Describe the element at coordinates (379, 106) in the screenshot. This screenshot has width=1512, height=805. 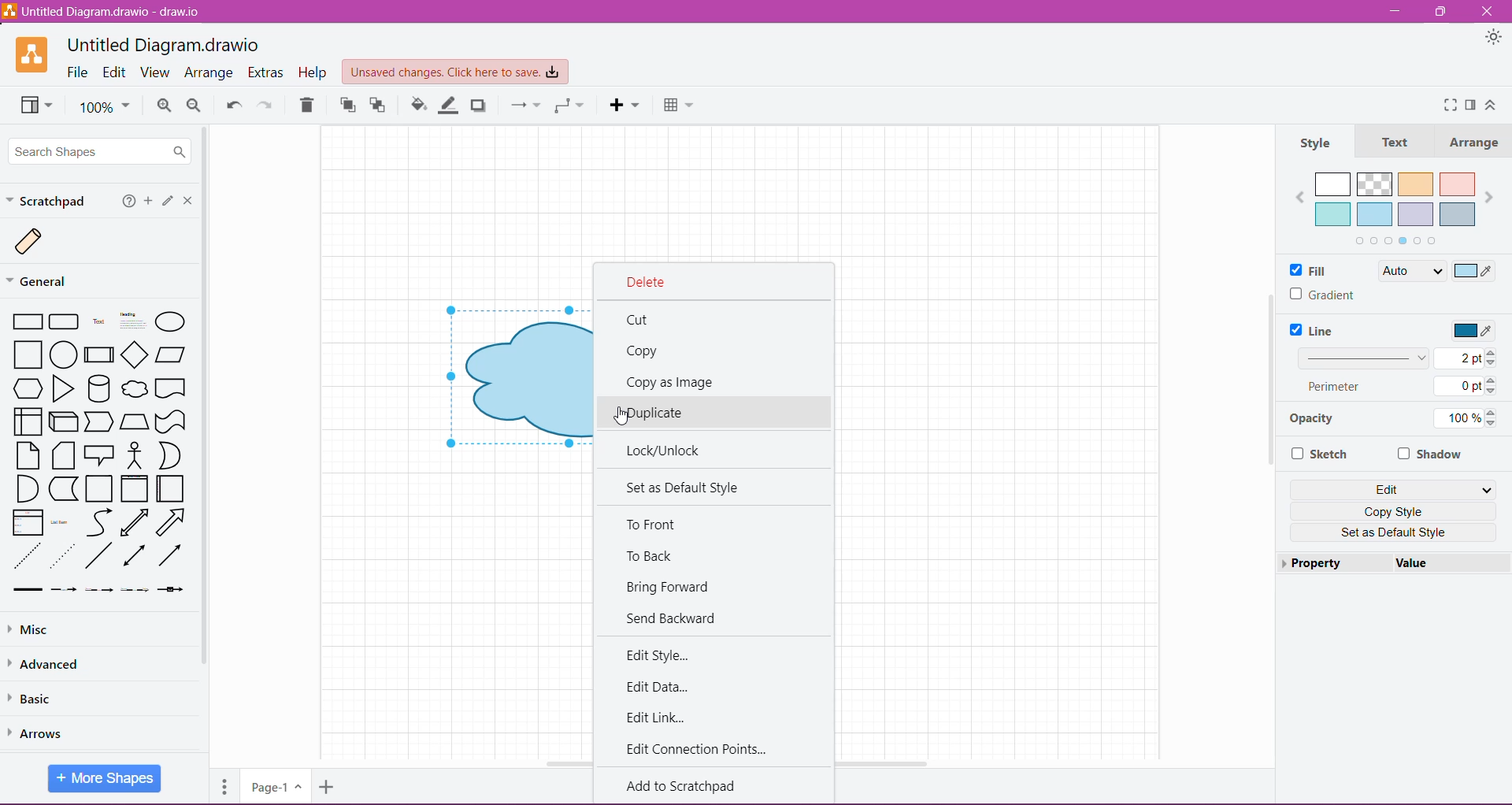
I see `To Back` at that location.